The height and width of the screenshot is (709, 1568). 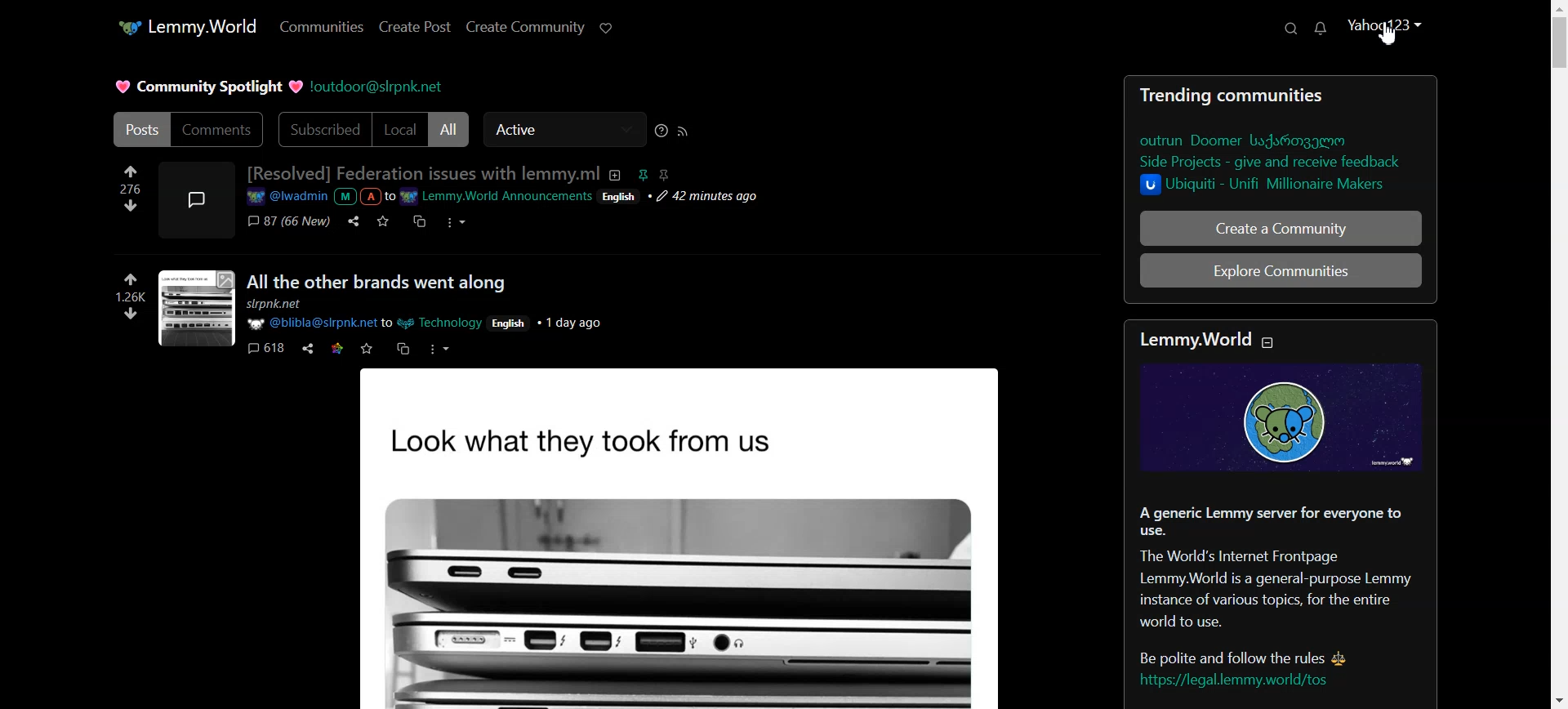 What do you see at coordinates (640, 174) in the screenshot?
I see `pinned post` at bounding box center [640, 174].